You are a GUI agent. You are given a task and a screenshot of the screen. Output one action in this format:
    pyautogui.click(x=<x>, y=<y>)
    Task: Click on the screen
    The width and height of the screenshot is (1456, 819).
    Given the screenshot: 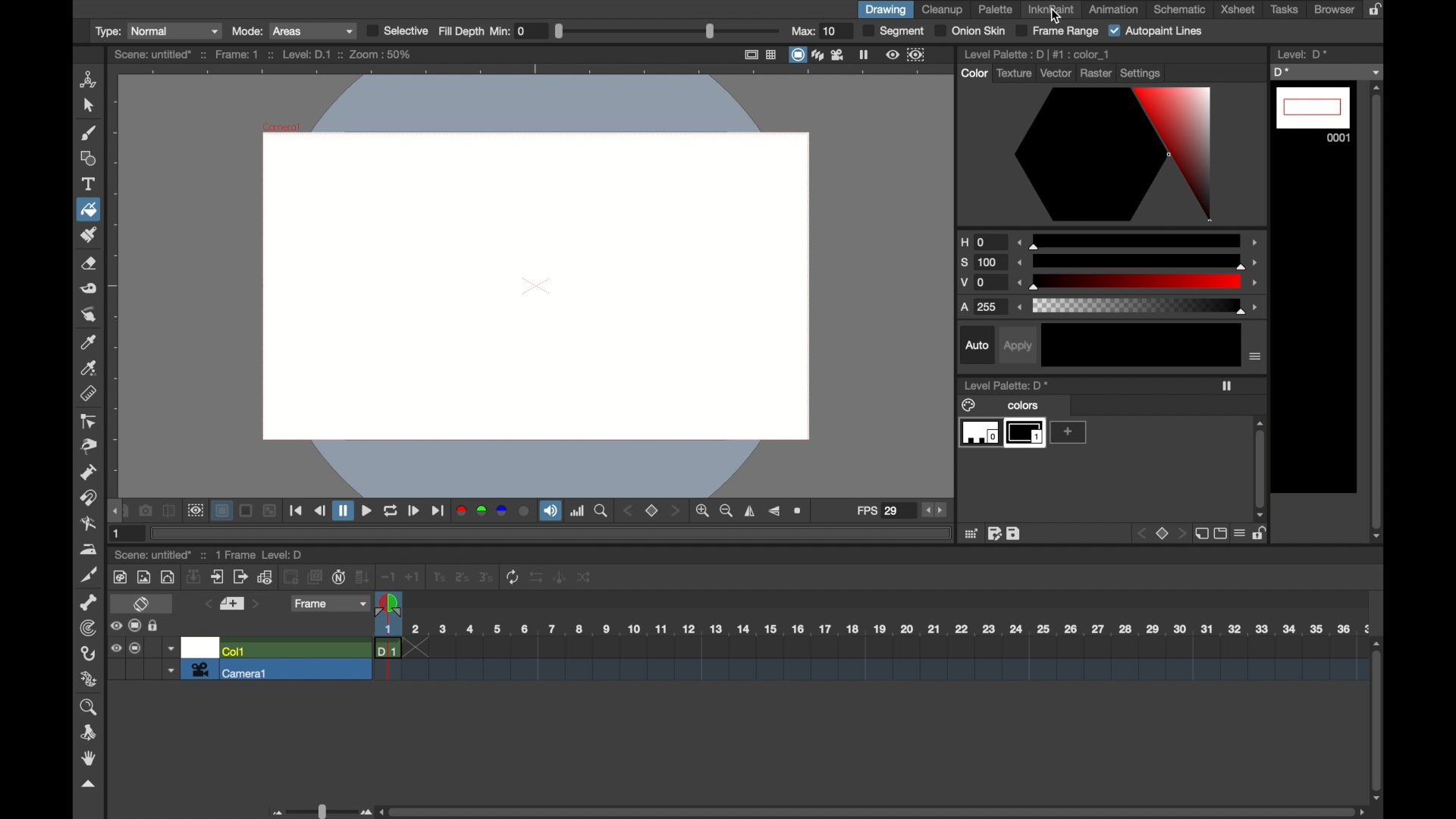 What is the action you would take?
    pyautogui.click(x=1220, y=534)
    